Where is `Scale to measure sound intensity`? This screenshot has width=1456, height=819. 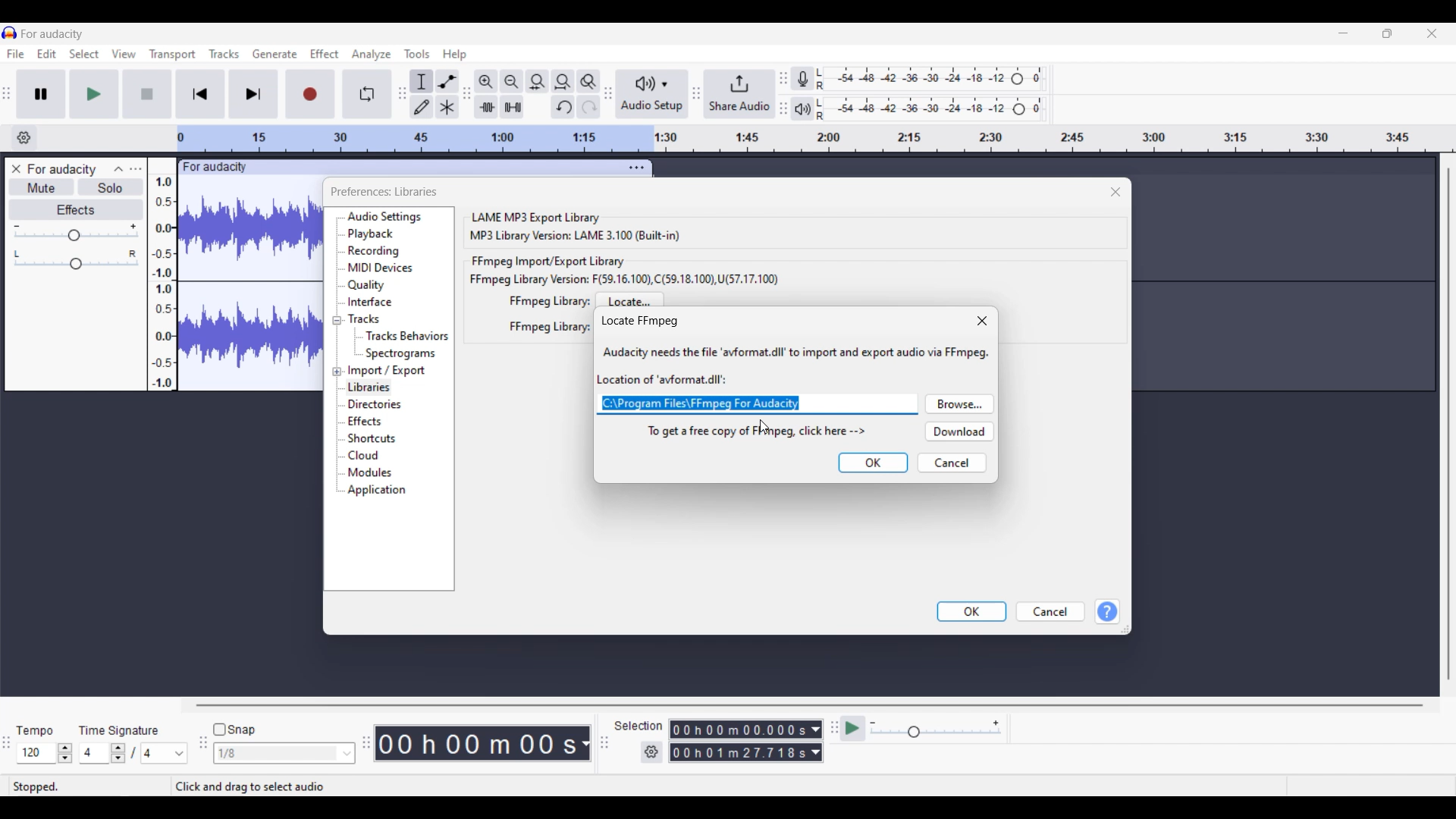
Scale to measure sound intensity is located at coordinates (162, 275).